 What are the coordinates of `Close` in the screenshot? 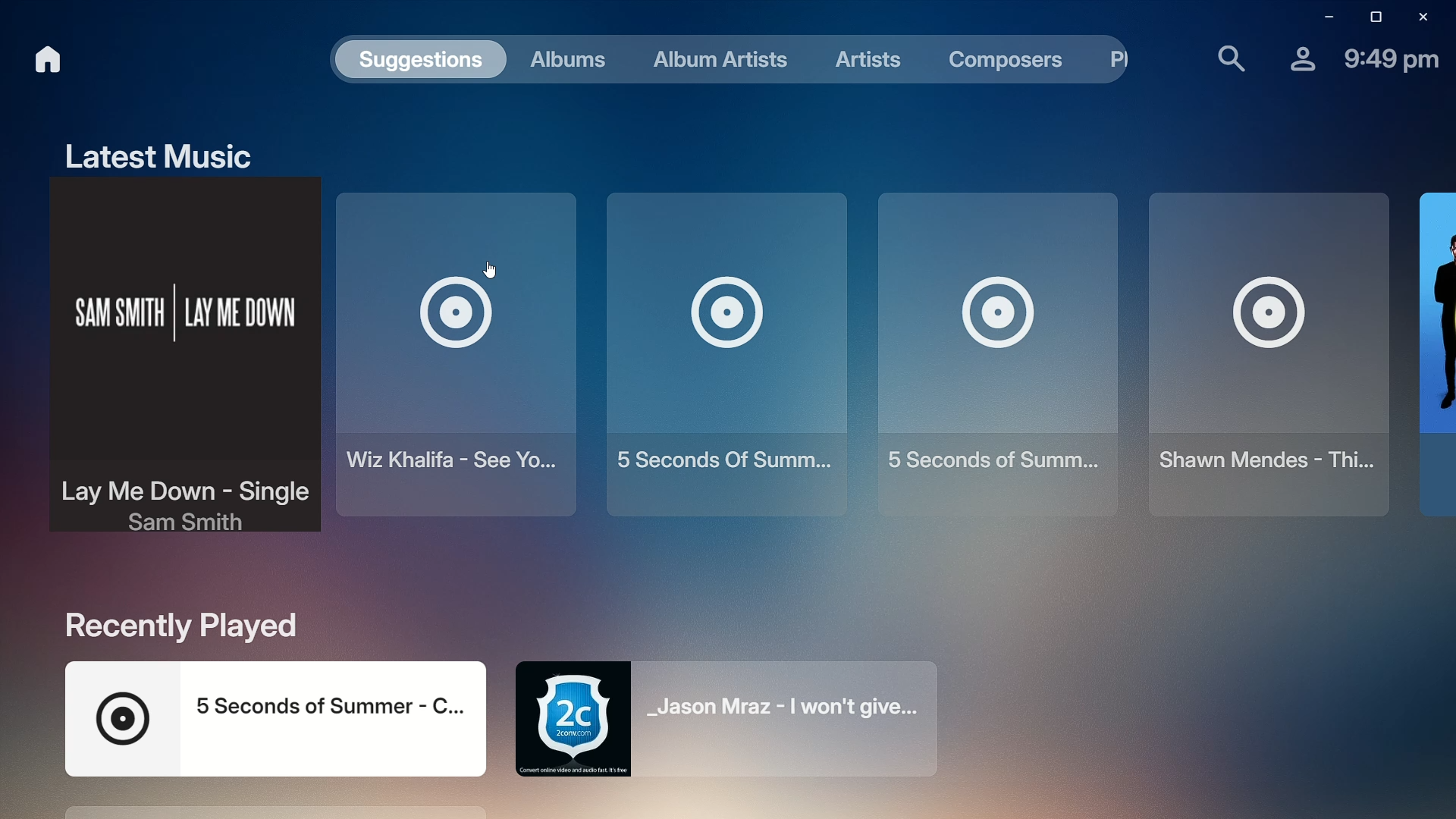 It's located at (1421, 16).